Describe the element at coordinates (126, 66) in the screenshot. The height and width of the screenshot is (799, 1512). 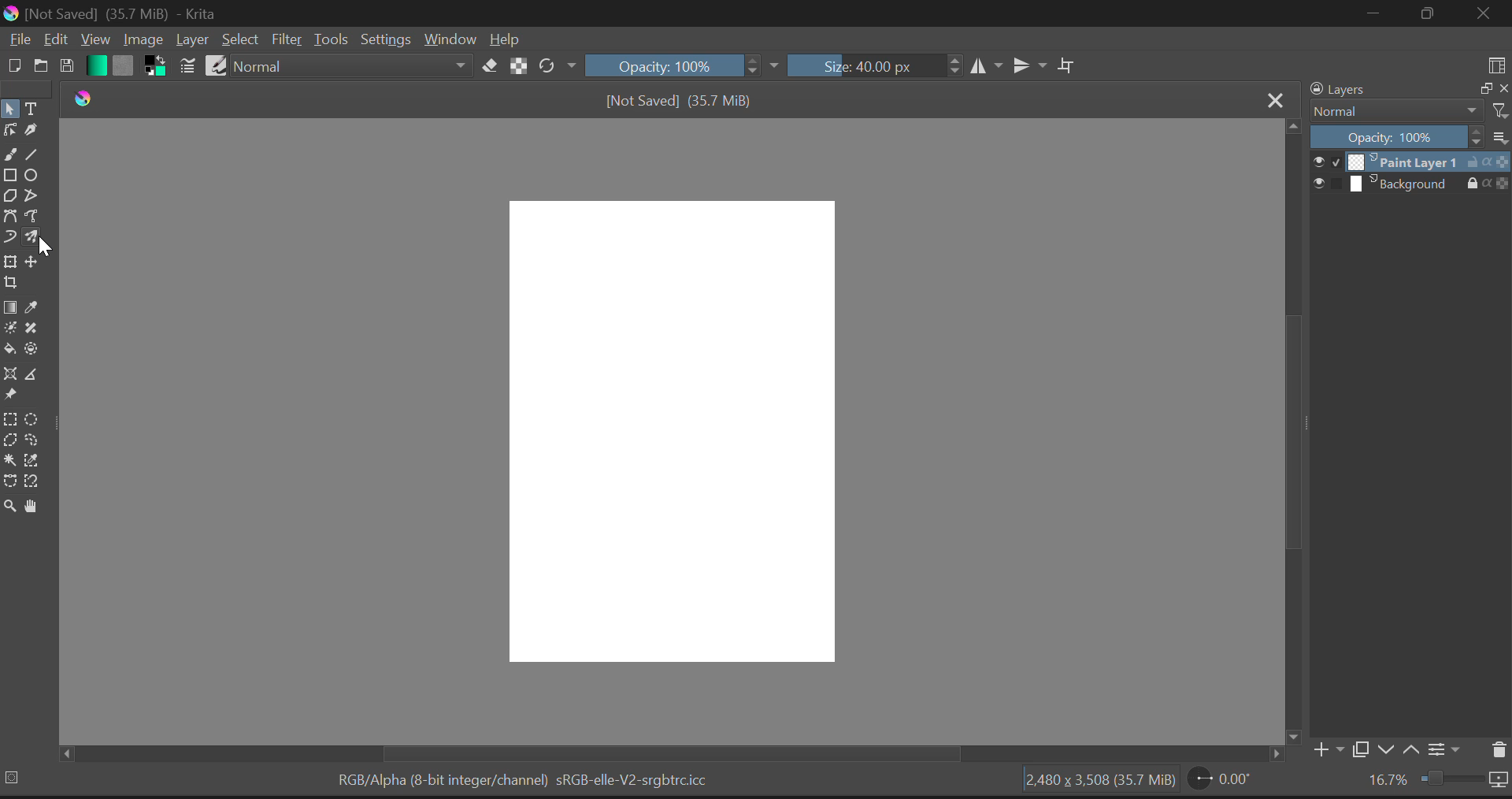
I see `Pattern` at that location.